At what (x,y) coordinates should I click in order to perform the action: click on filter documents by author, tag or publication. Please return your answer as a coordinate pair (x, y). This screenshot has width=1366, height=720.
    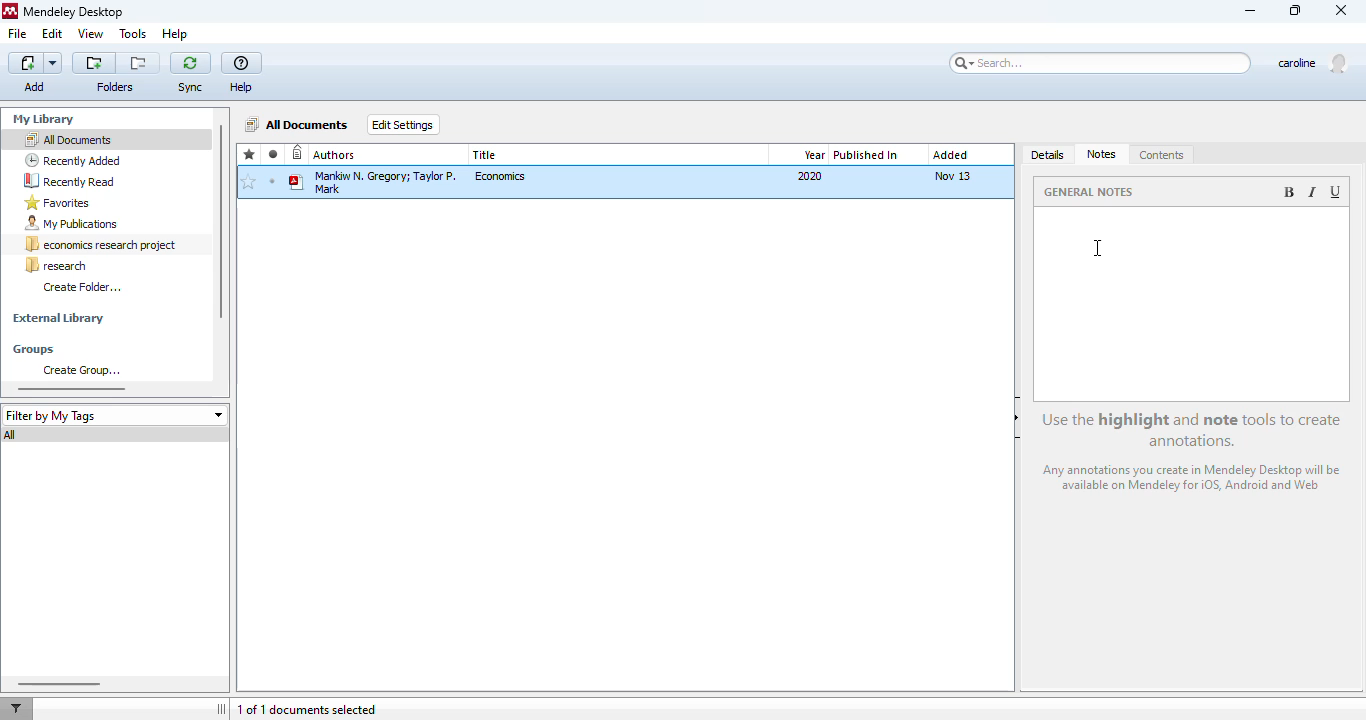
    Looking at the image, I should click on (15, 709).